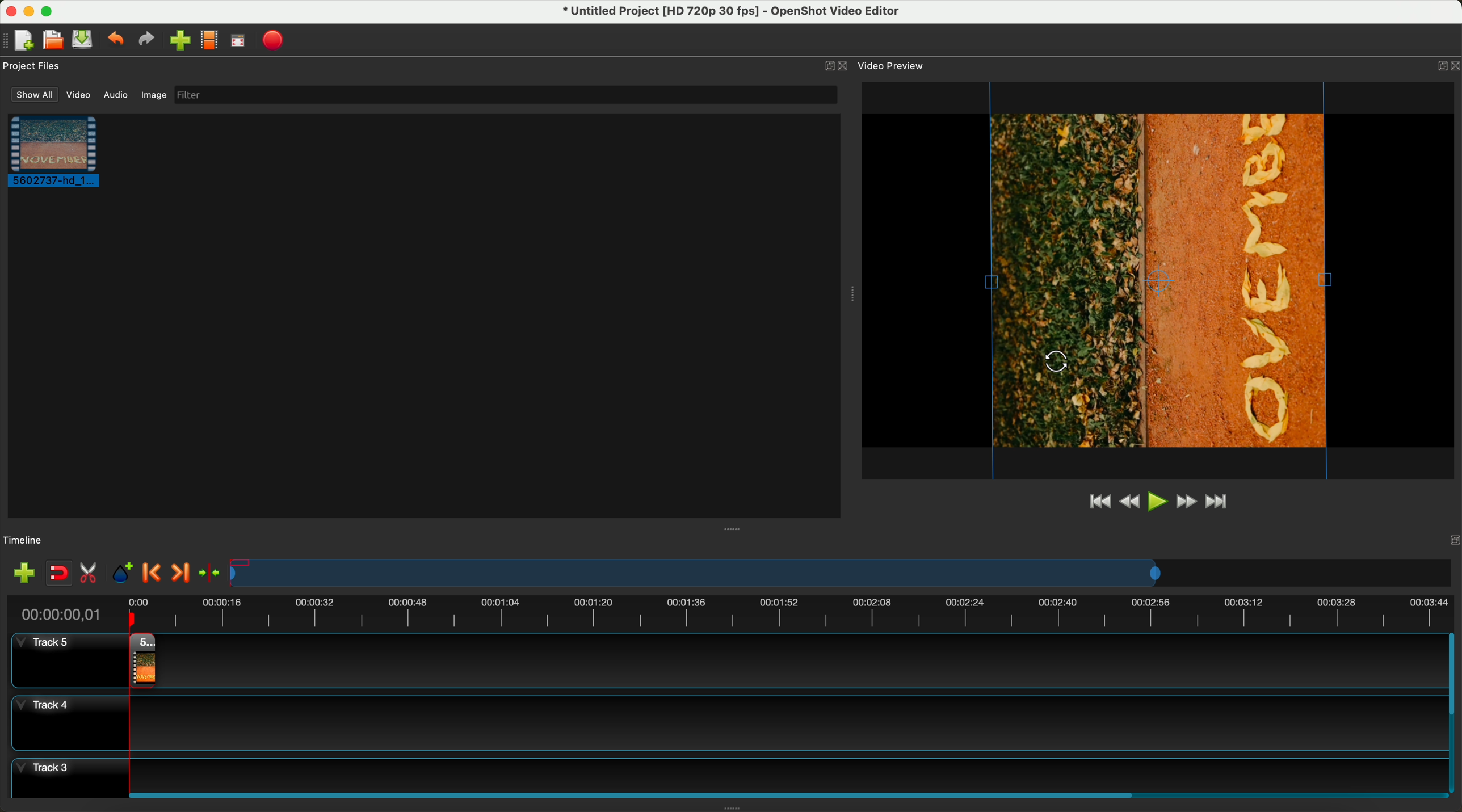 The width and height of the screenshot is (1462, 812). What do you see at coordinates (116, 95) in the screenshot?
I see `audio` at bounding box center [116, 95].